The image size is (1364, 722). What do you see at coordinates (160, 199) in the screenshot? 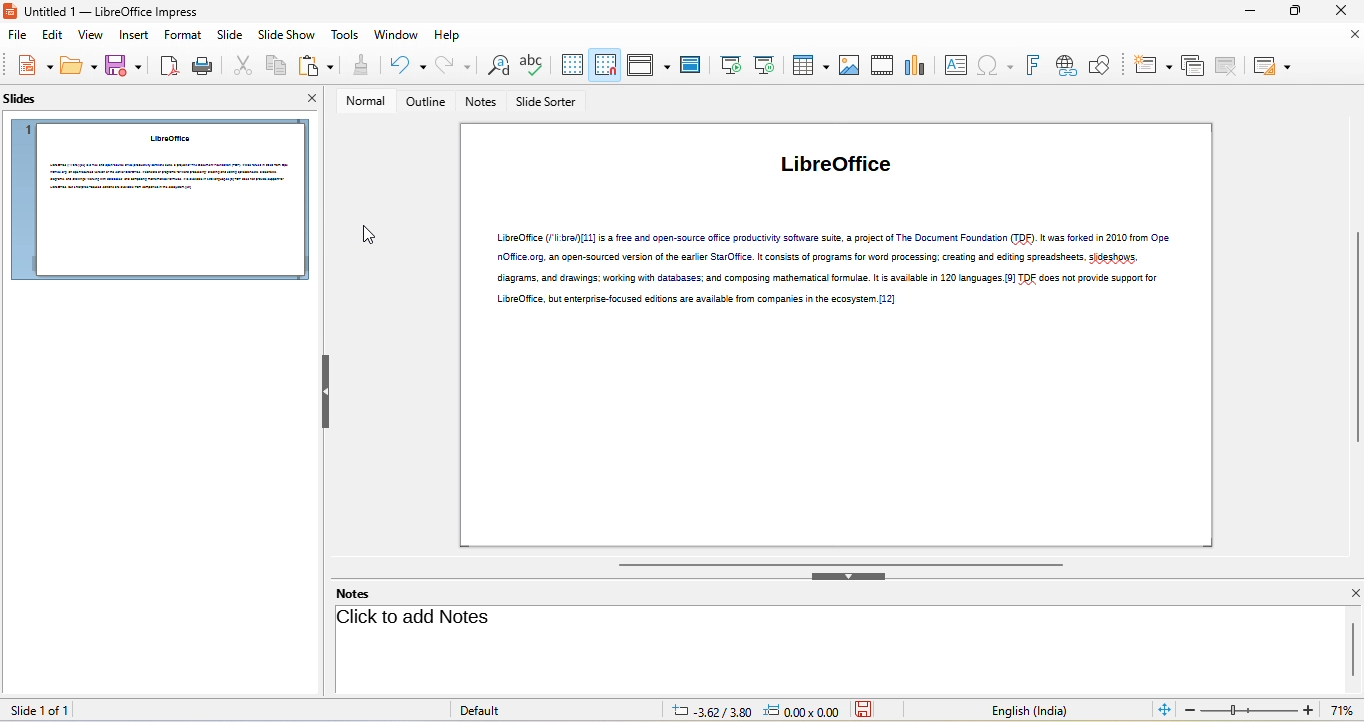
I see `slide 1` at bounding box center [160, 199].